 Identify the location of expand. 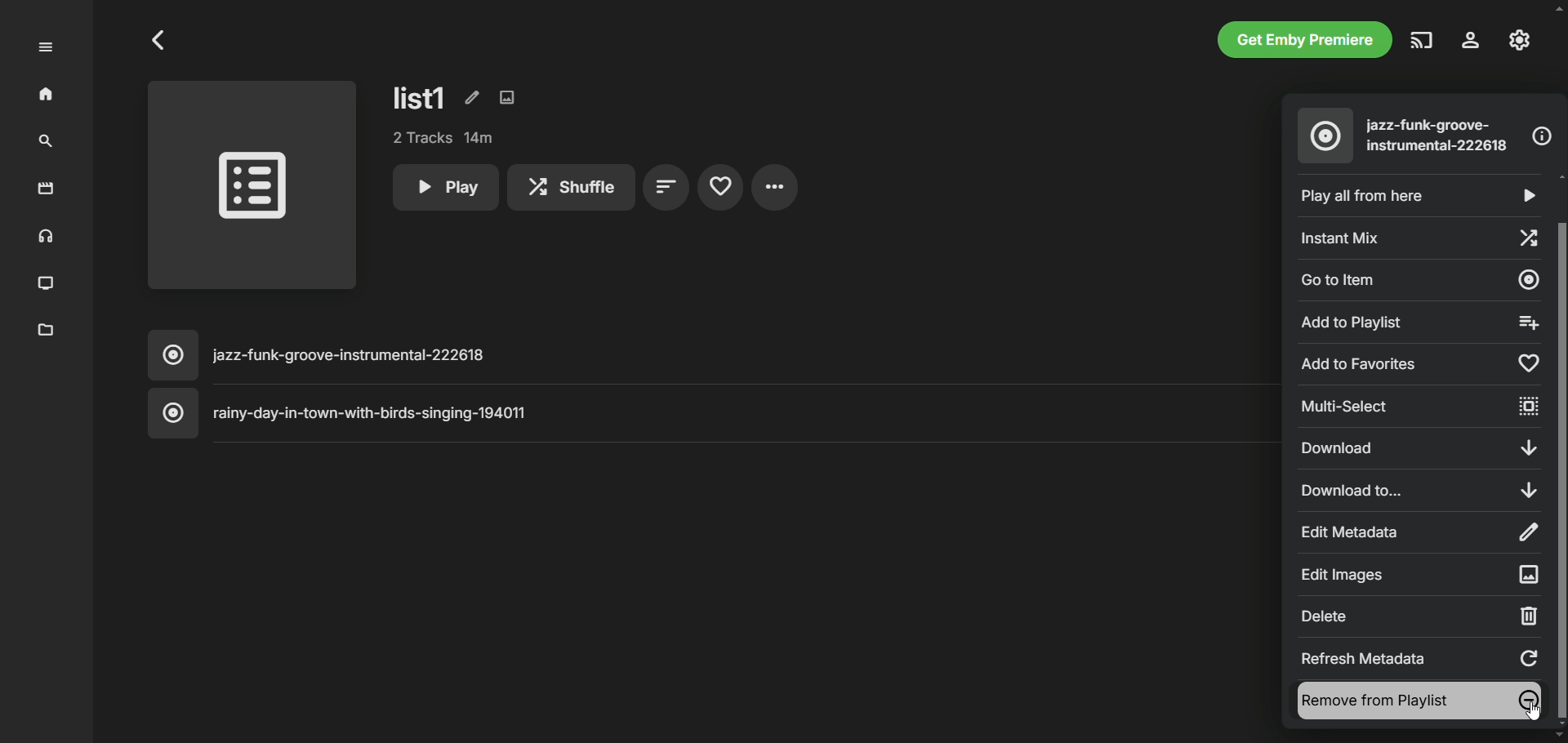
(46, 47).